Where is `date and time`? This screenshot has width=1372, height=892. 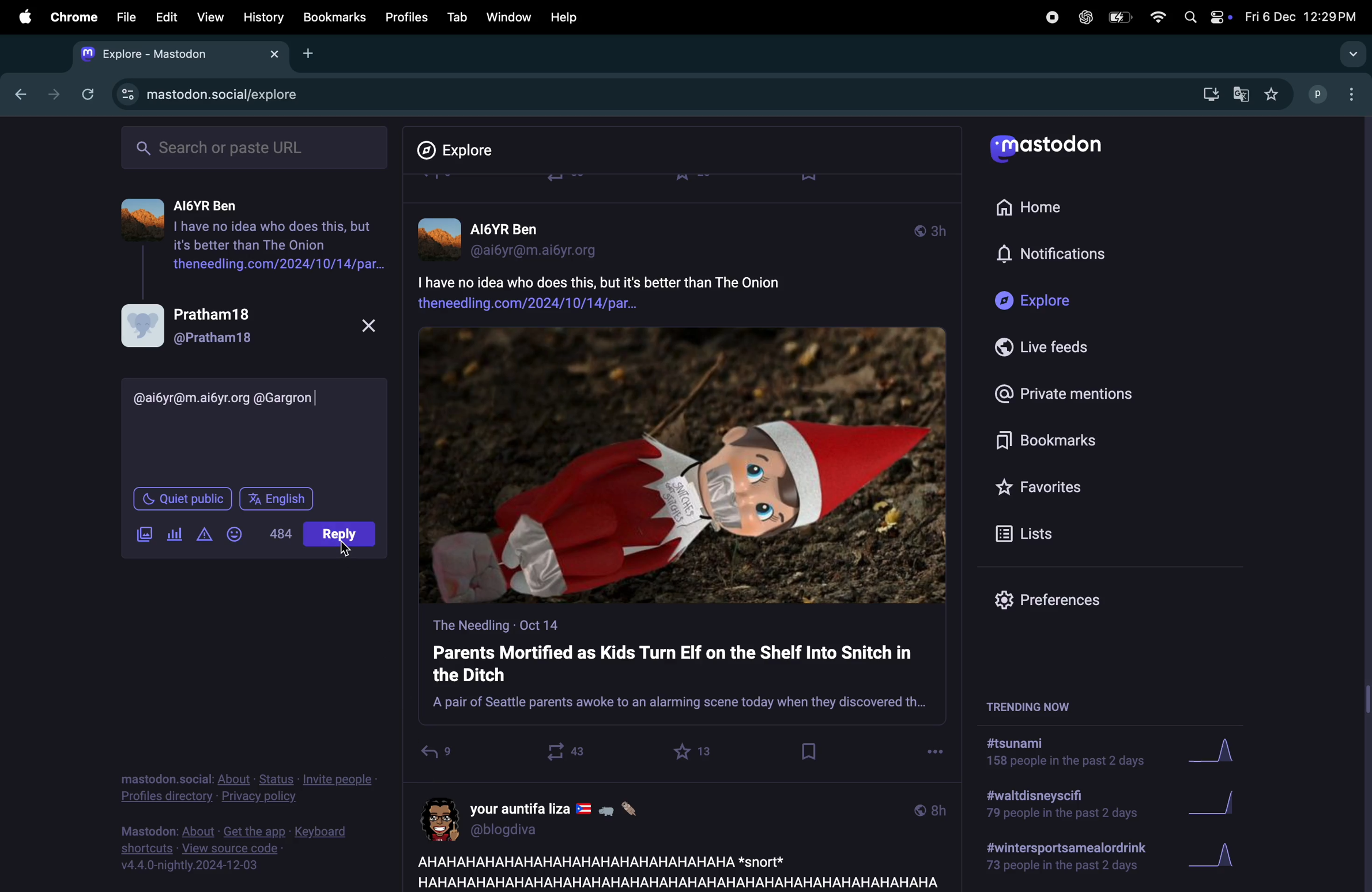
date and time is located at coordinates (1299, 17).